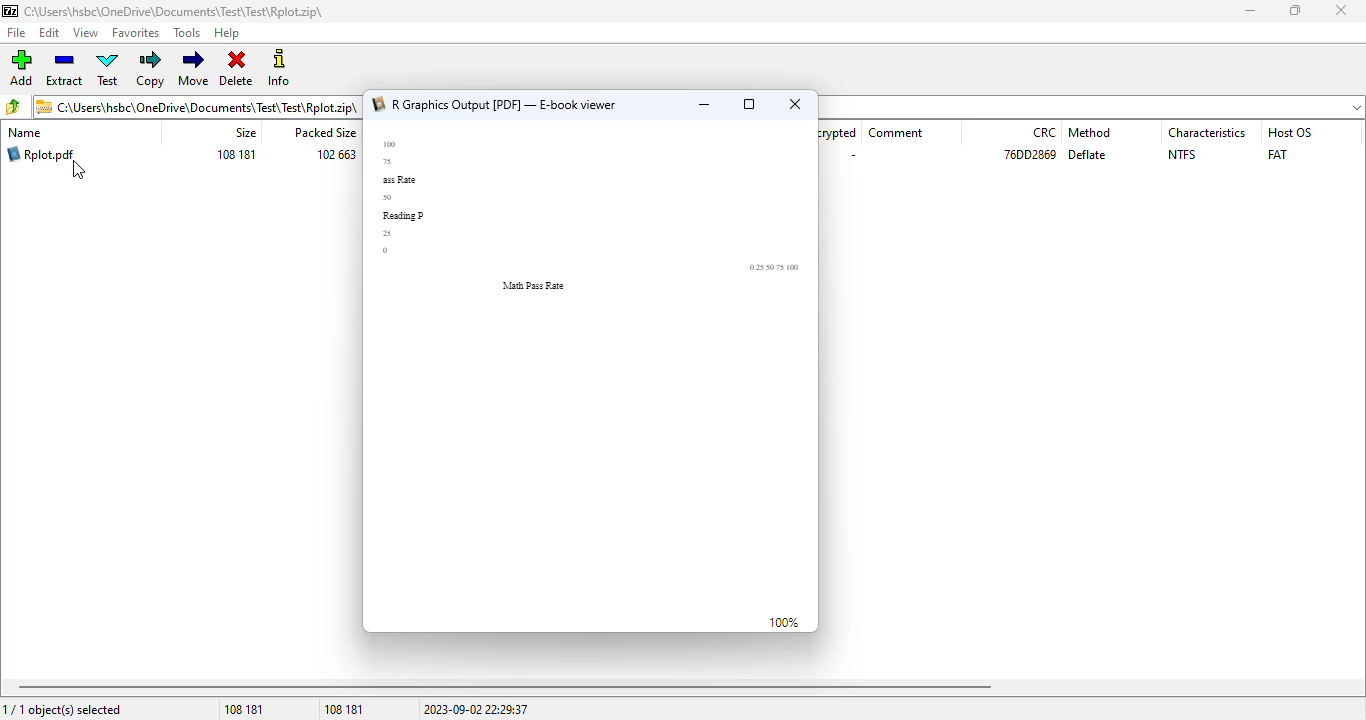 The height and width of the screenshot is (720, 1366). What do you see at coordinates (14, 106) in the screenshot?
I see `Browse folders` at bounding box center [14, 106].